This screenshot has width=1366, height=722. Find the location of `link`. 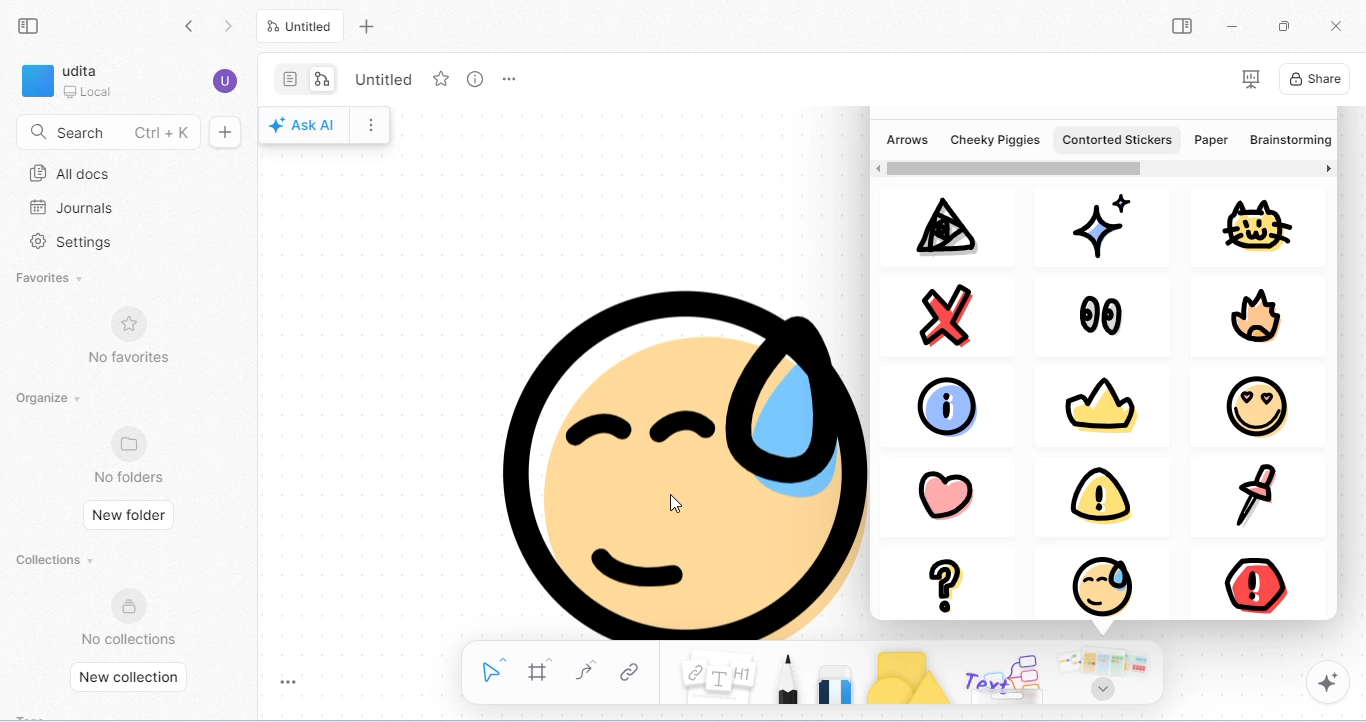

link is located at coordinates (634, 671).